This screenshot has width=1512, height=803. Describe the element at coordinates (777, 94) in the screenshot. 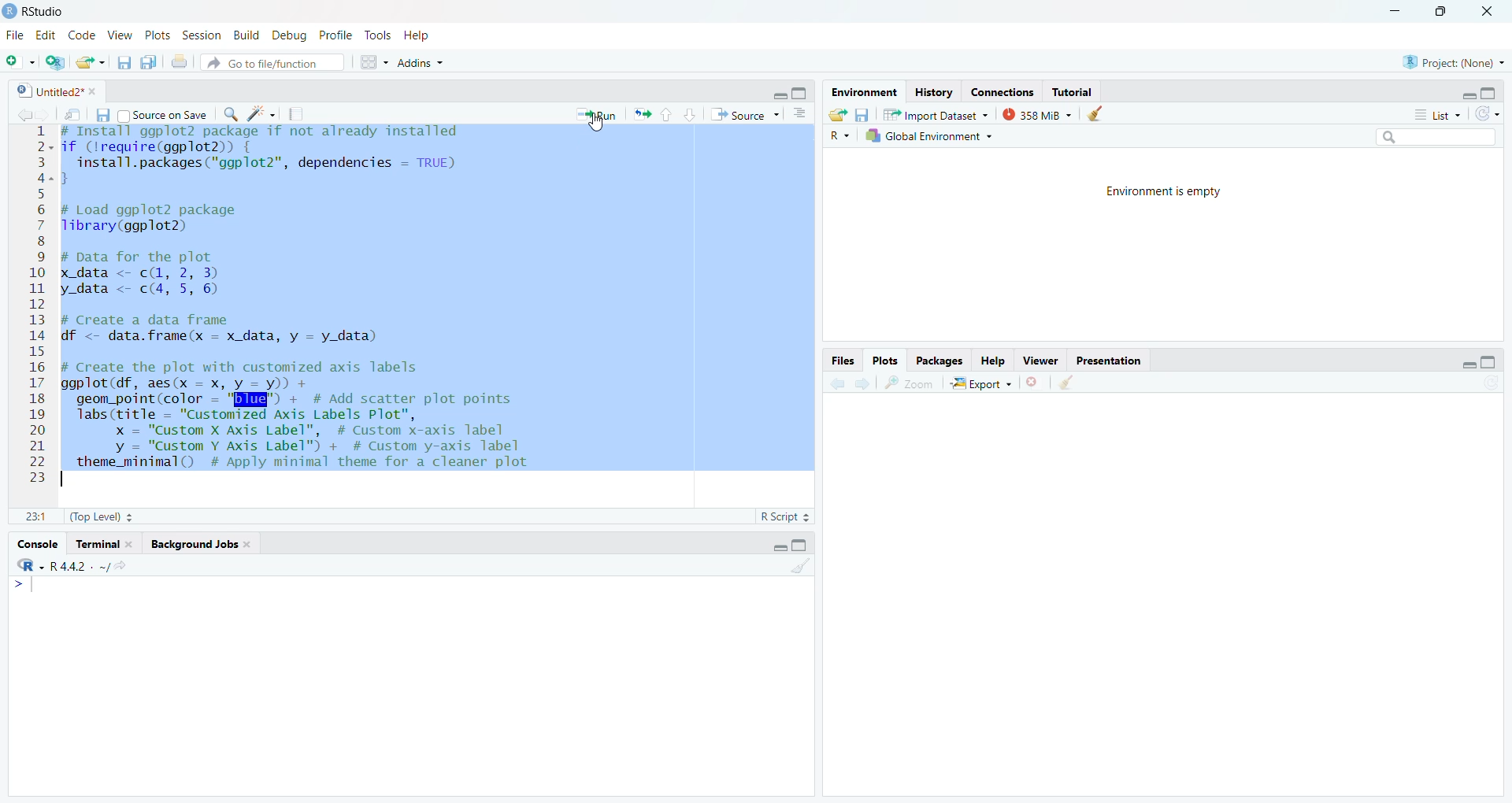

I see `minimise` at that location.